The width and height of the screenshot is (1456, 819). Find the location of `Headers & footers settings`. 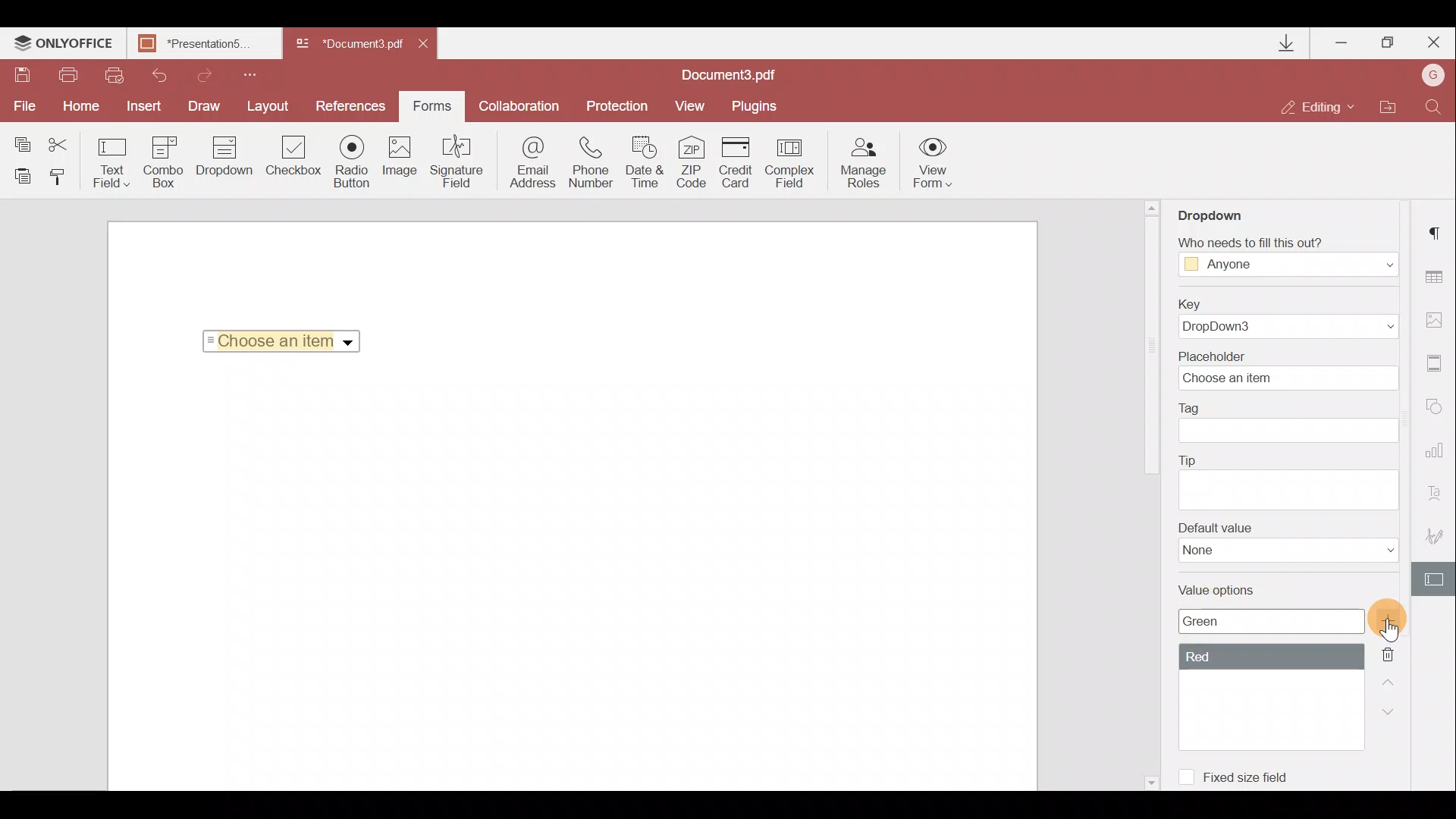

Headers & footers settings is located at coordinates (1439, 364).